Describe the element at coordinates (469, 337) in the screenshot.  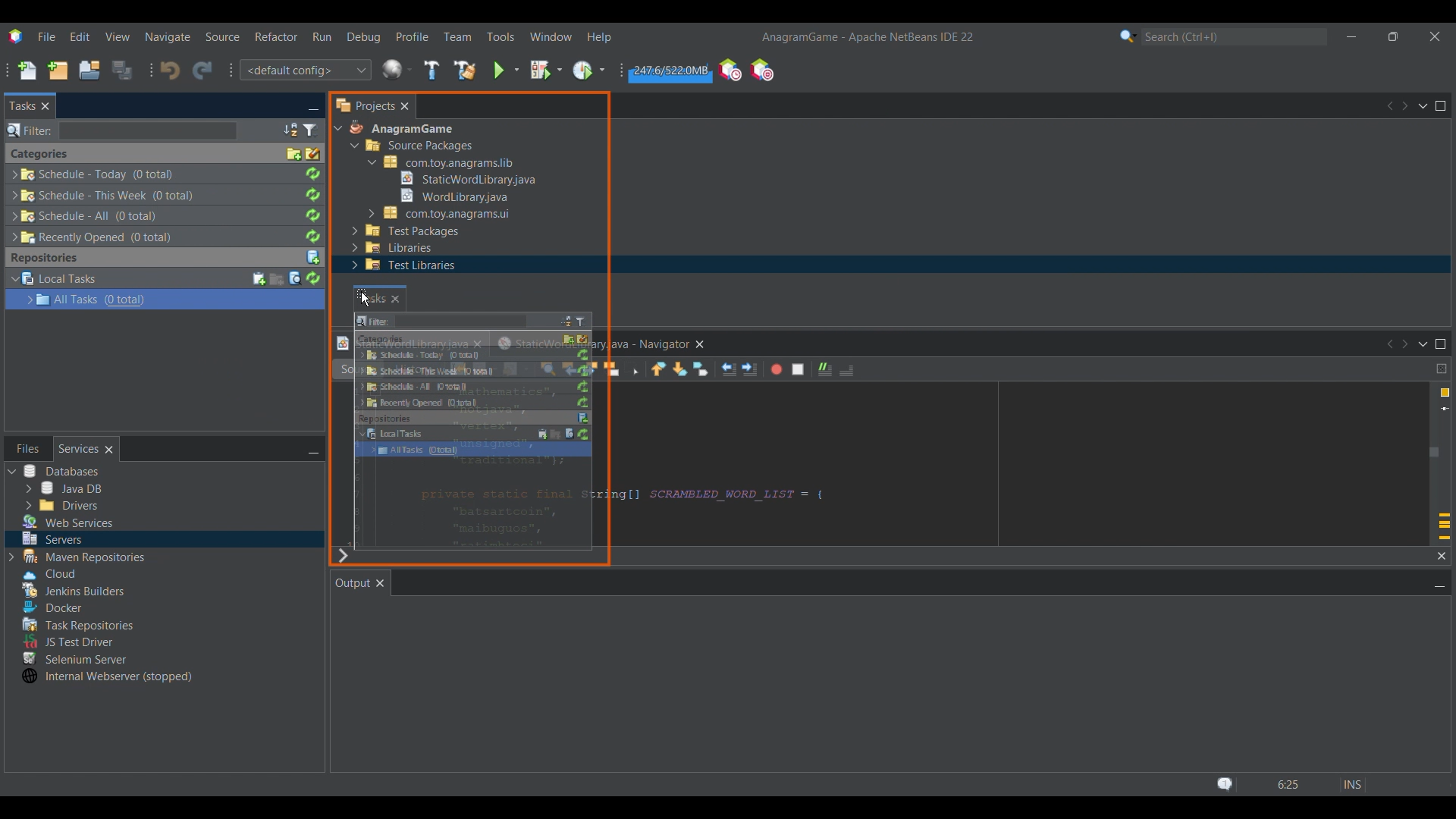
I see `` at that location.